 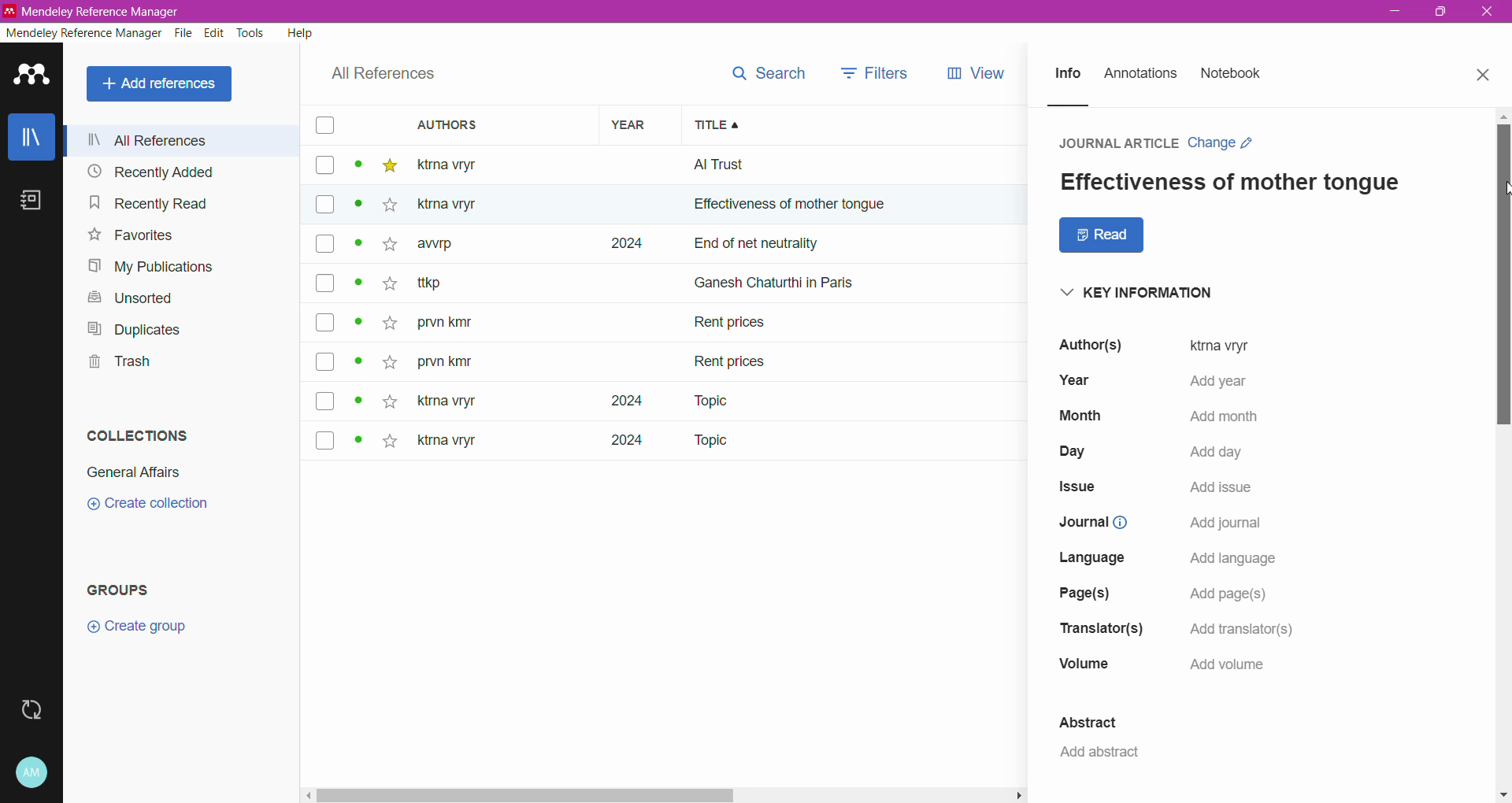 What do you see at coordinates (325, 439) in the screenshot?
I see `box` at bounding box center [325, 439].